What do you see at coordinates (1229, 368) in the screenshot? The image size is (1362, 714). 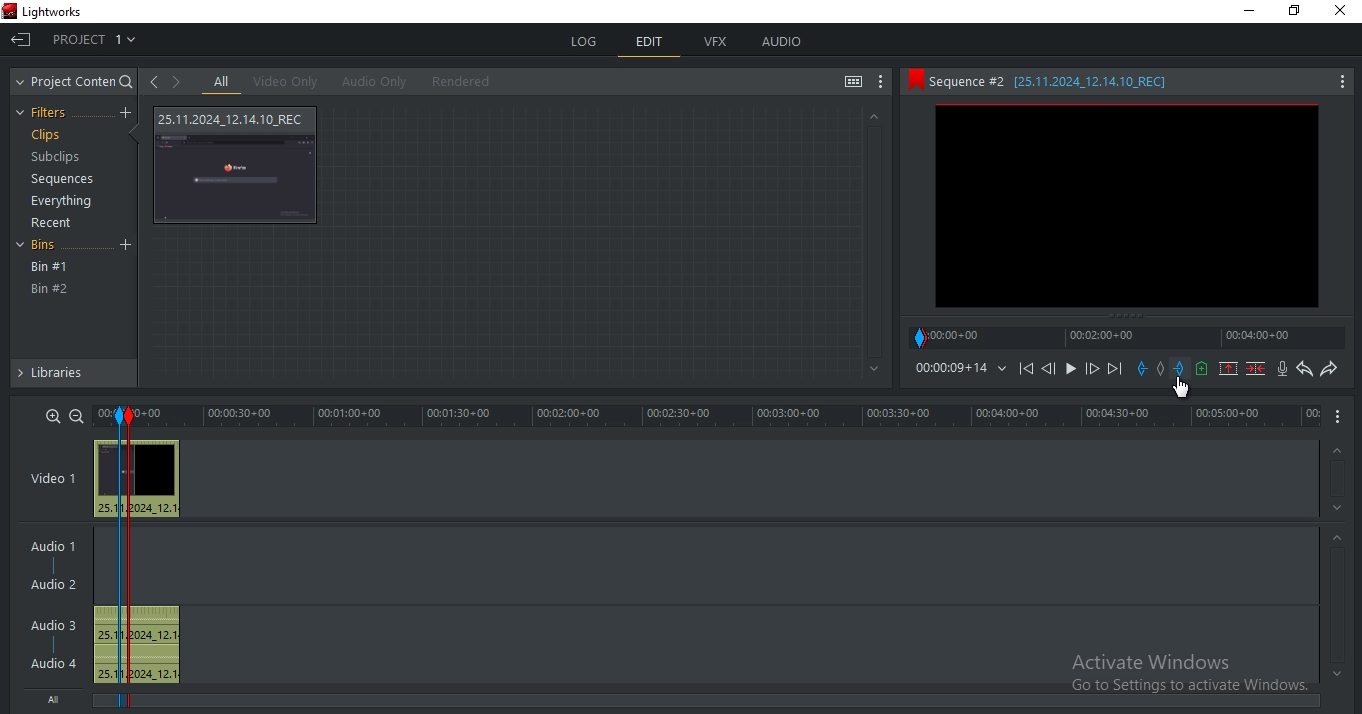 I see `remove marked section` at bounding box center [1229, 368].